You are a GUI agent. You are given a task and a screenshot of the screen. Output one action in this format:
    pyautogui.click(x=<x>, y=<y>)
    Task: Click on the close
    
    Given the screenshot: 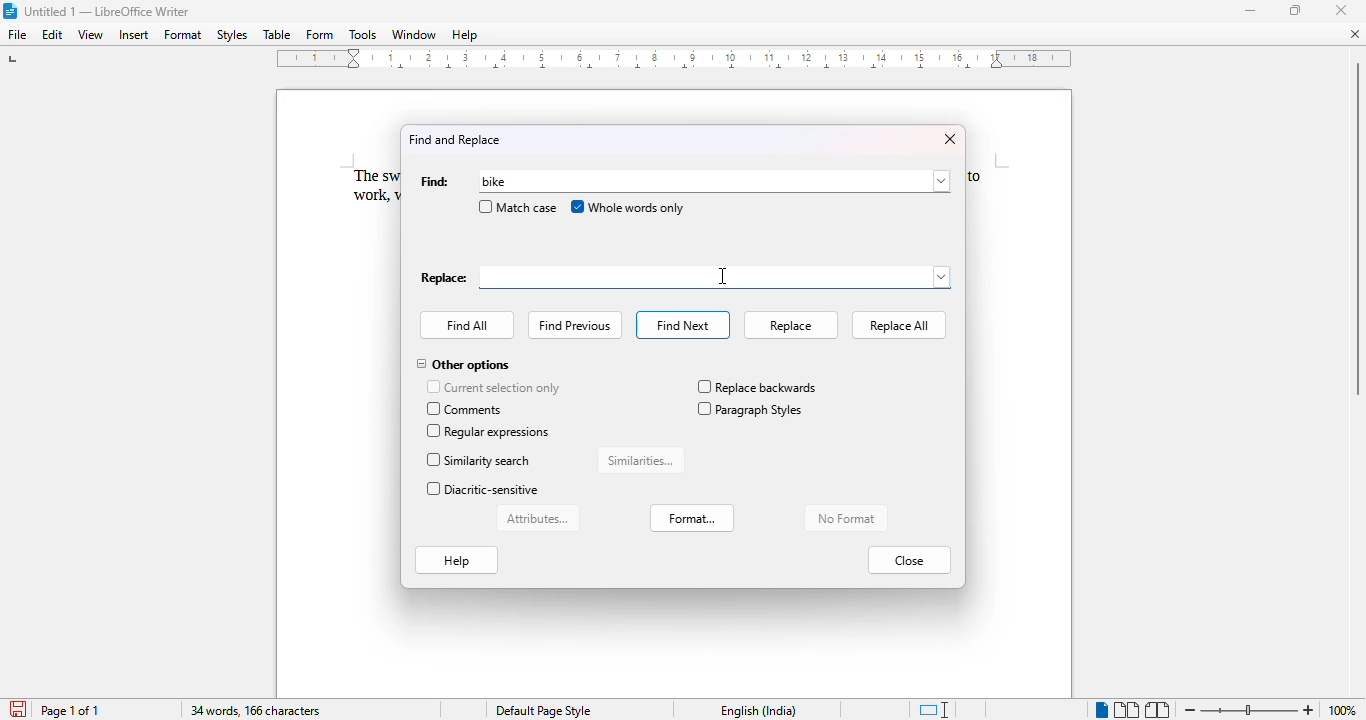 What is the action you would take?
    pyautogui.click(x=908, y=560)
    